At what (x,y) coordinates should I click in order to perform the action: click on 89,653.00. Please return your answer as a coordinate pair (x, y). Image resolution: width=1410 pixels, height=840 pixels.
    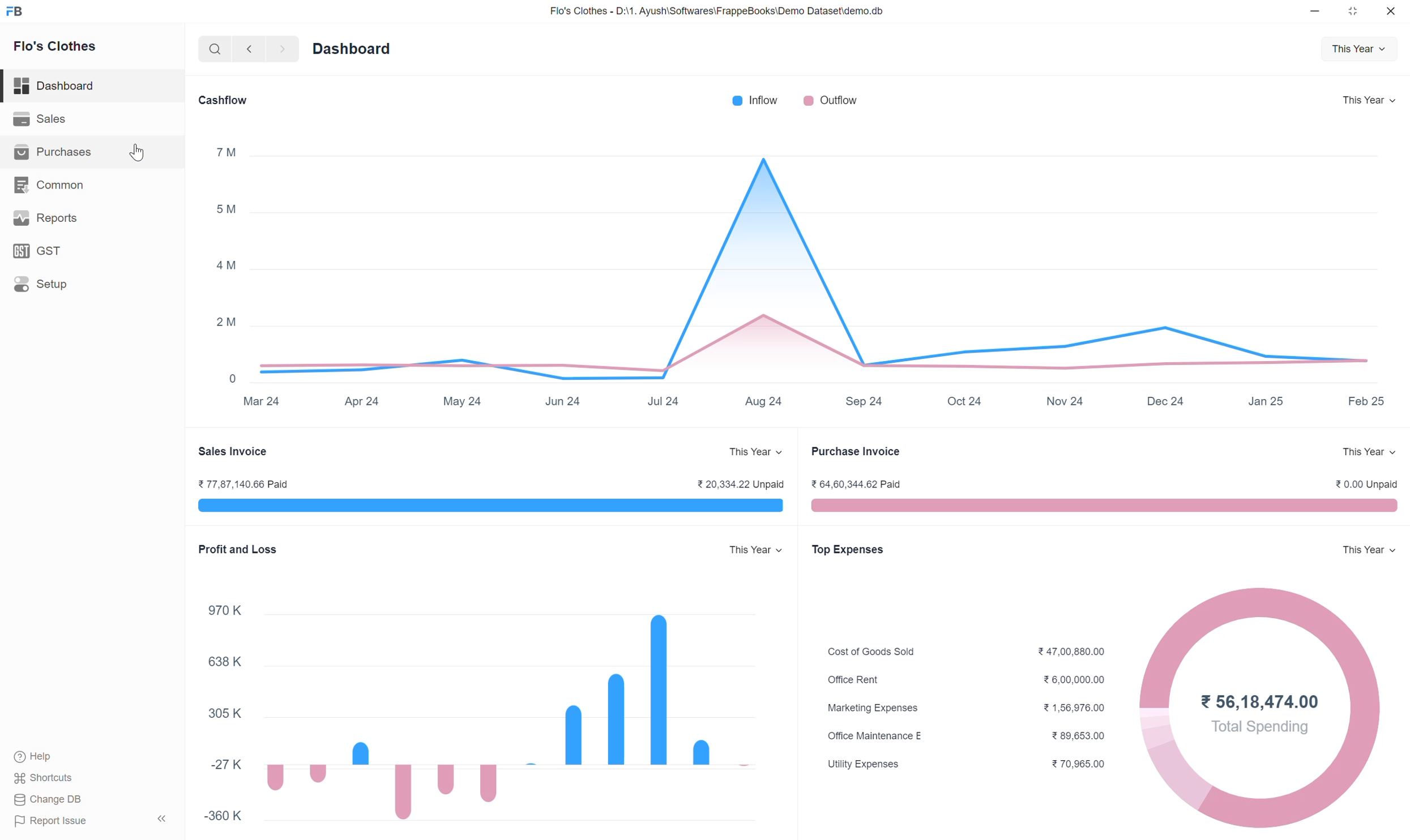
    Looking at the image, I should click on (1078, 736).